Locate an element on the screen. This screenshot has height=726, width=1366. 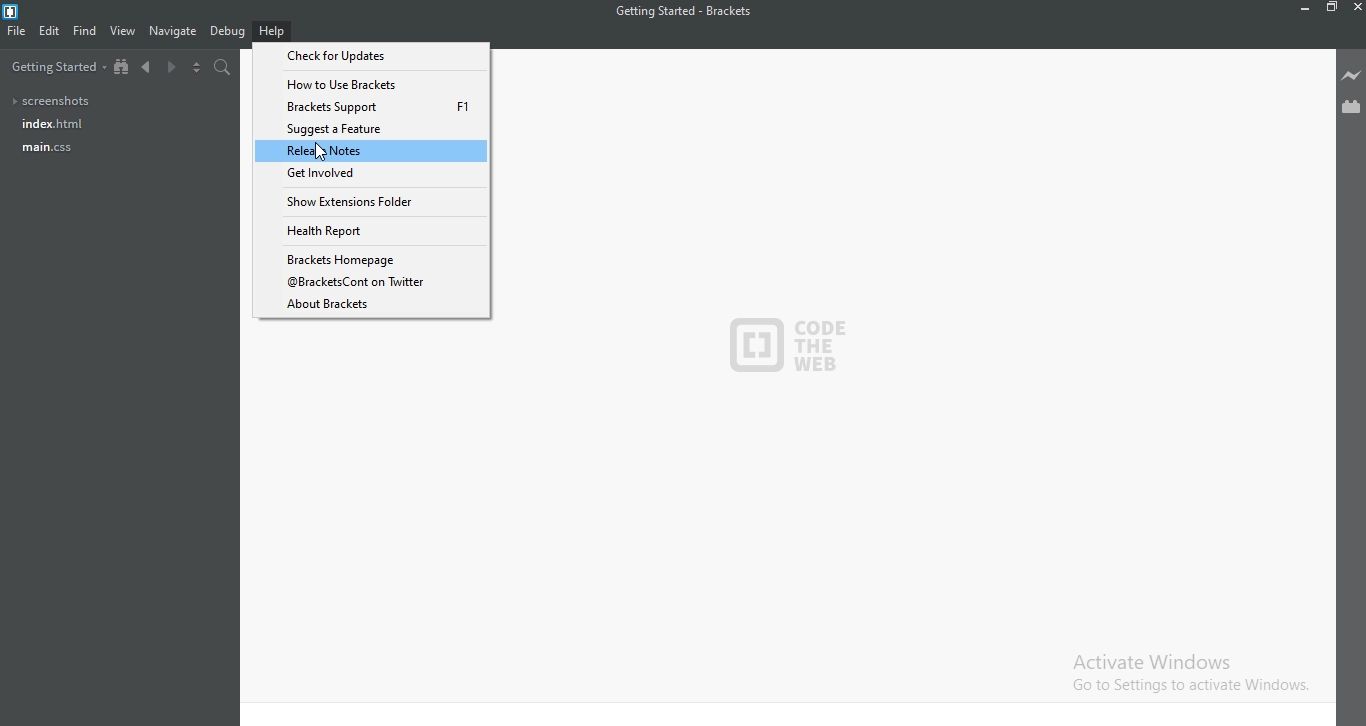
cursor is located at coordinates (321, 152).